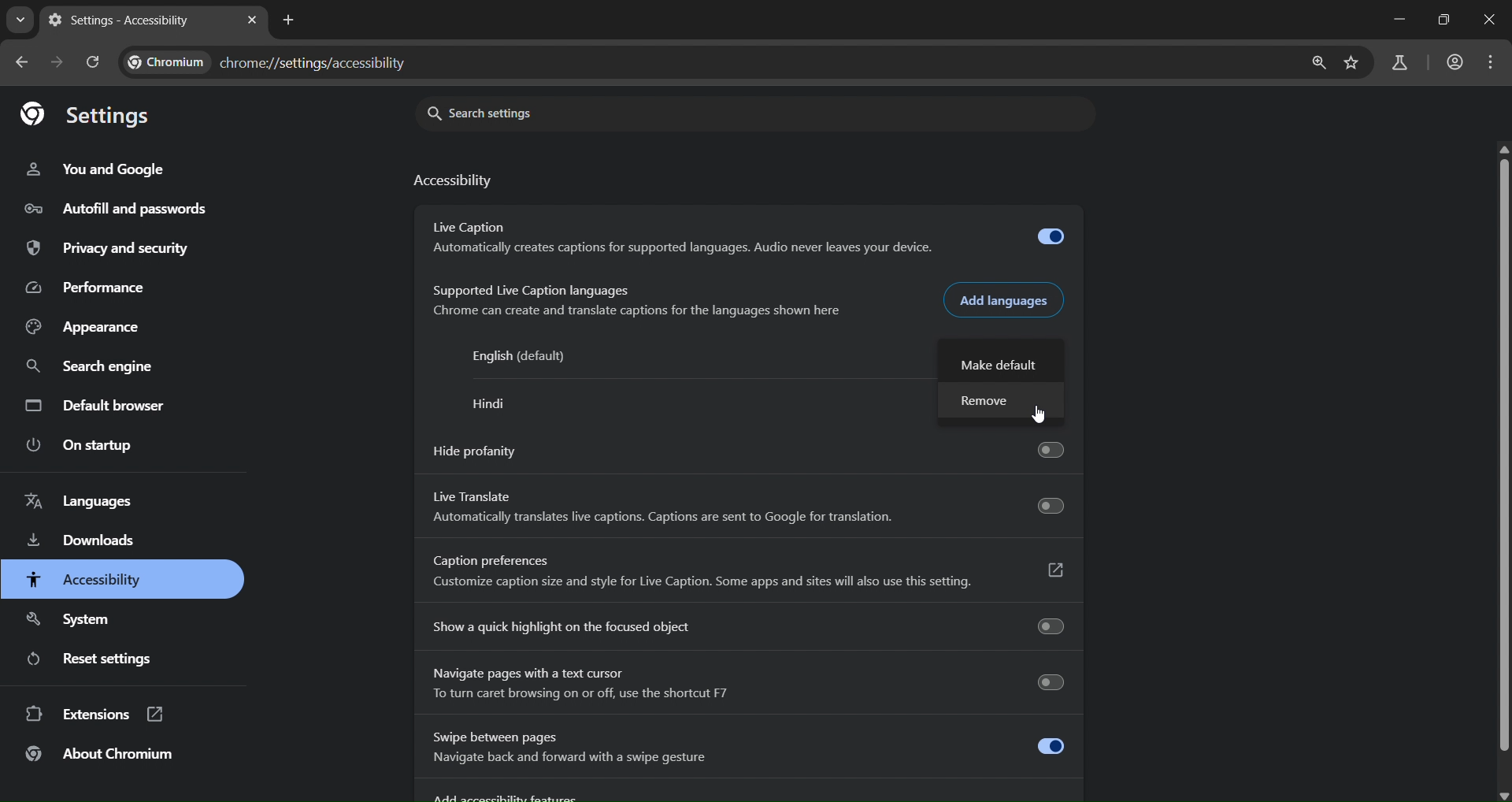 This screenshot has width=1512, height=802. Describe the element at coordinates (82, 539) in the screenshot. I see `downloads` at that location.